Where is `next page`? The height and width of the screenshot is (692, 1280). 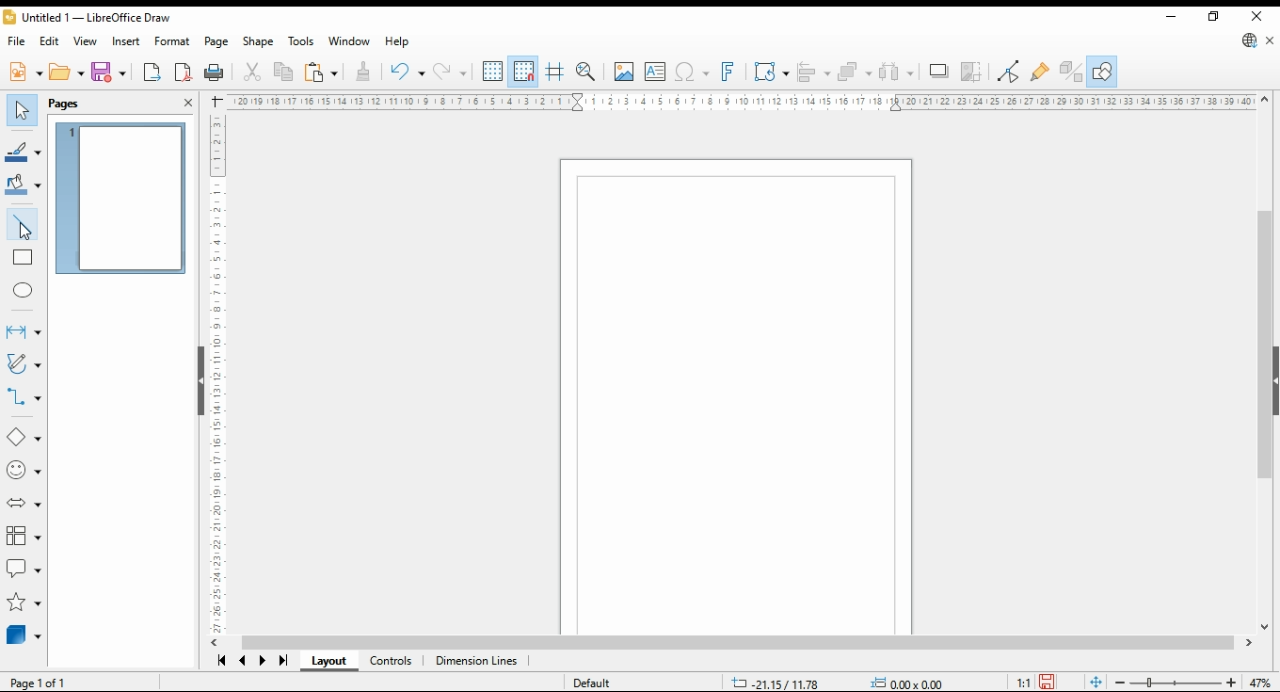 next page is located at coordinates (262, 662).